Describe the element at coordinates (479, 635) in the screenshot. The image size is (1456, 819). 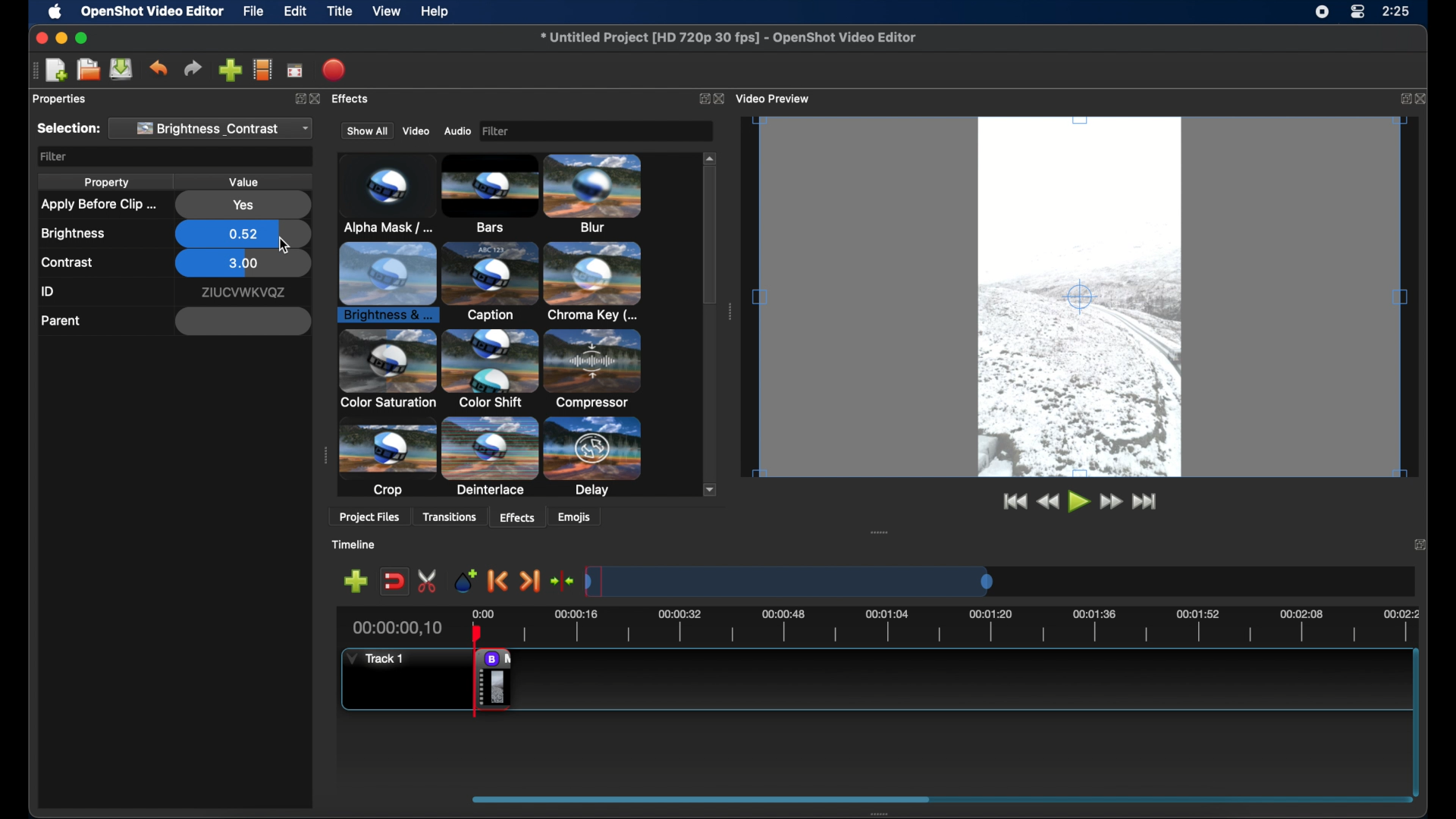
I see `head` at that location.